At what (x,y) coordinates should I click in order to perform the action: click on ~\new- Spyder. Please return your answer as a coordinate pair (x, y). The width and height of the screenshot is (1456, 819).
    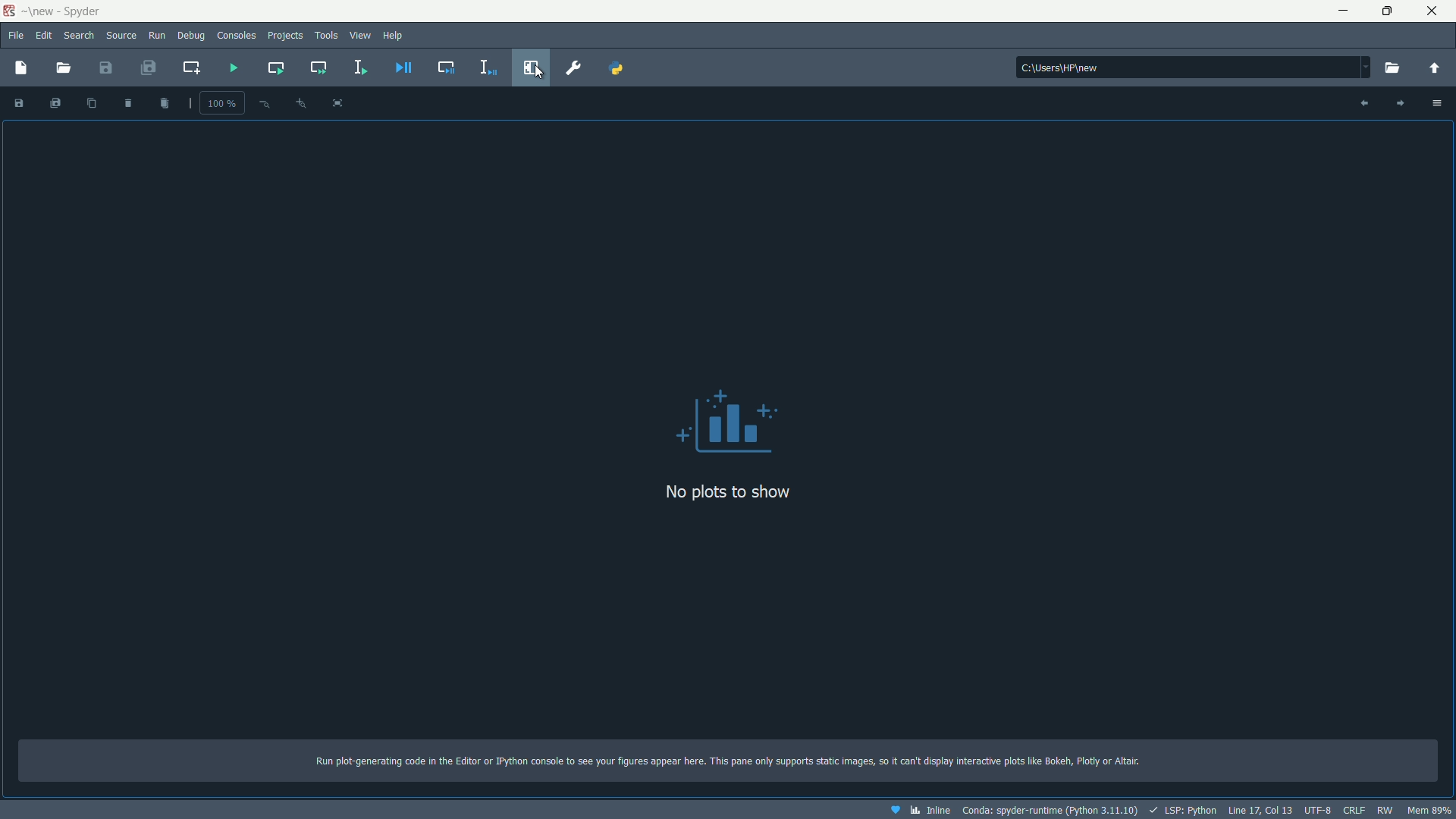
    Looking at the image, I should click on (64, 11).